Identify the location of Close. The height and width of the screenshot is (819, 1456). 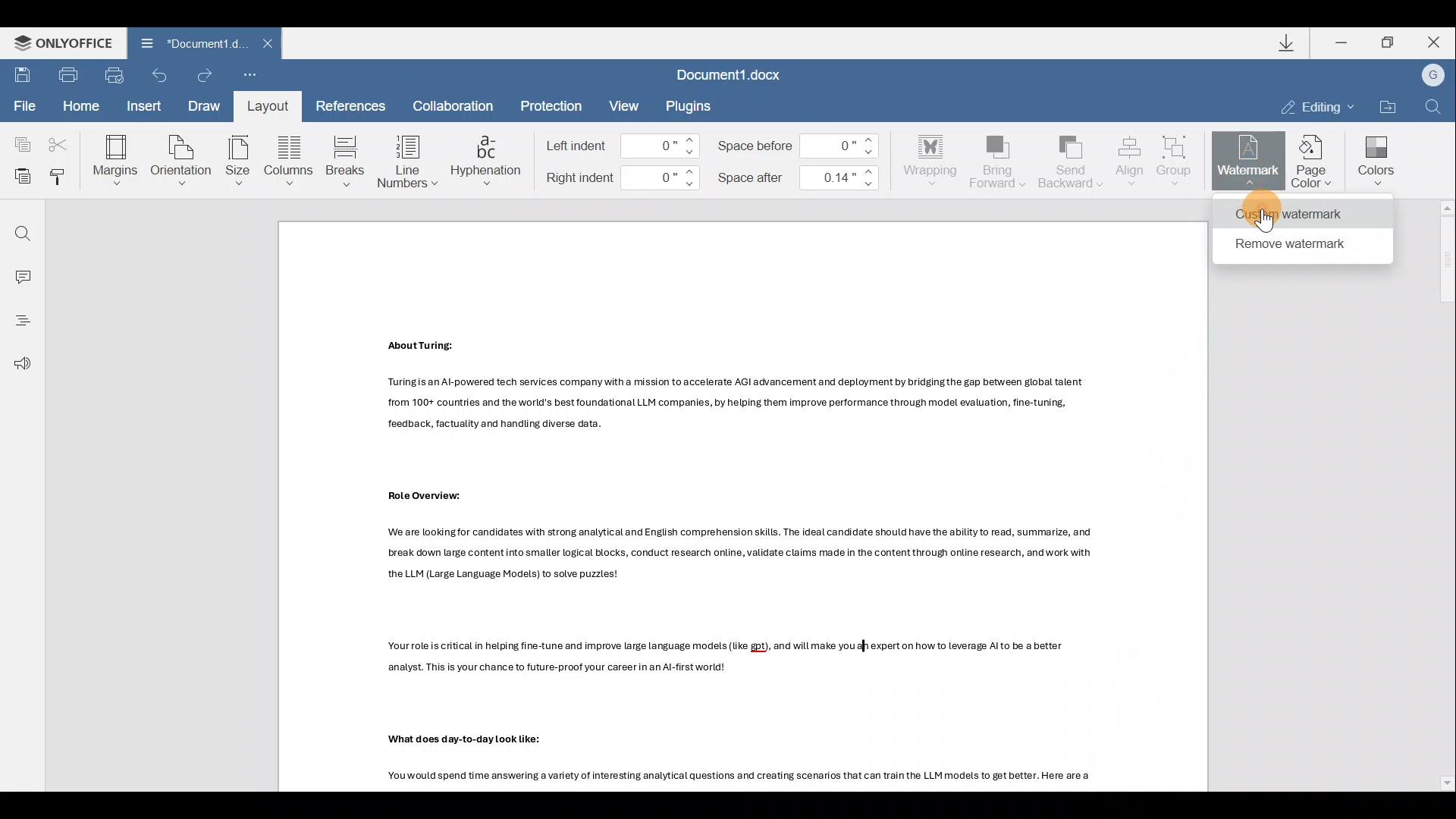
(1432, 42).